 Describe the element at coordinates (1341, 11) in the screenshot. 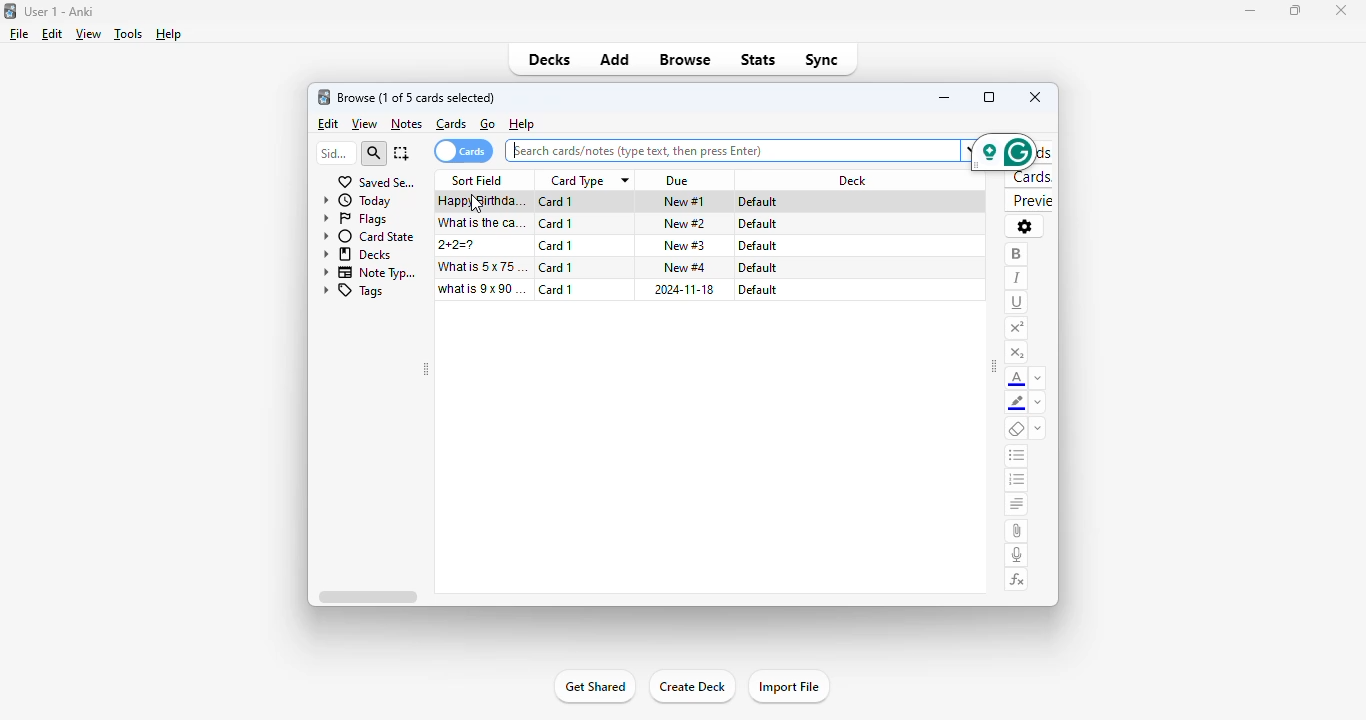

I see `close` at that location.